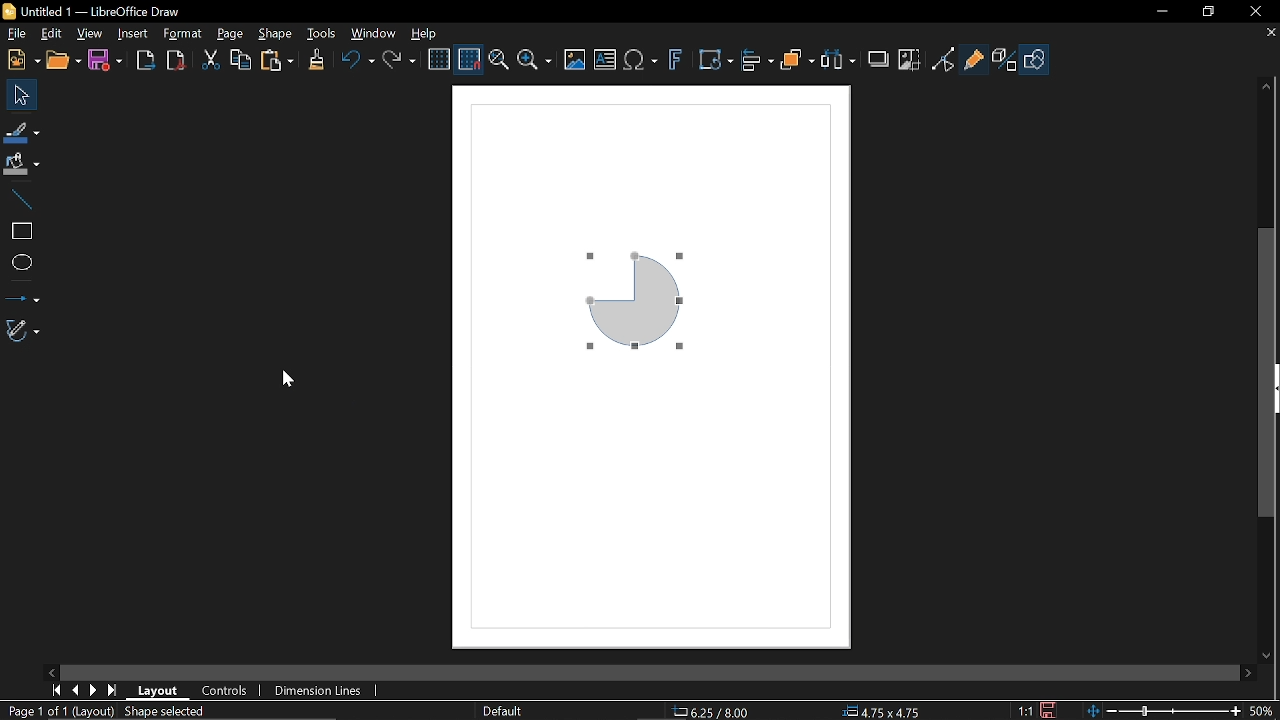 Image resolution: width=1280 pixels, height=720 pixels. Describe the element at coordinates (241, 61) in the screenshot. I see `Copy` at that location.